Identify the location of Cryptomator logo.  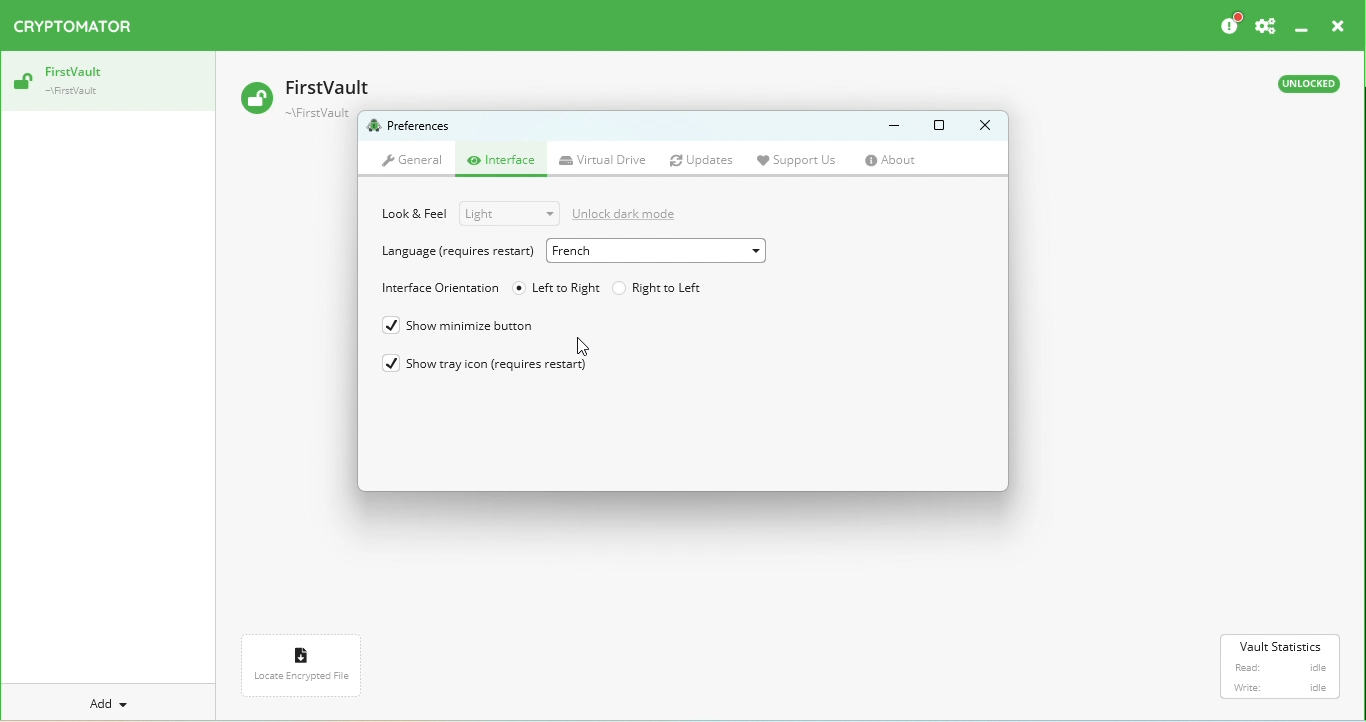
(78, 27).